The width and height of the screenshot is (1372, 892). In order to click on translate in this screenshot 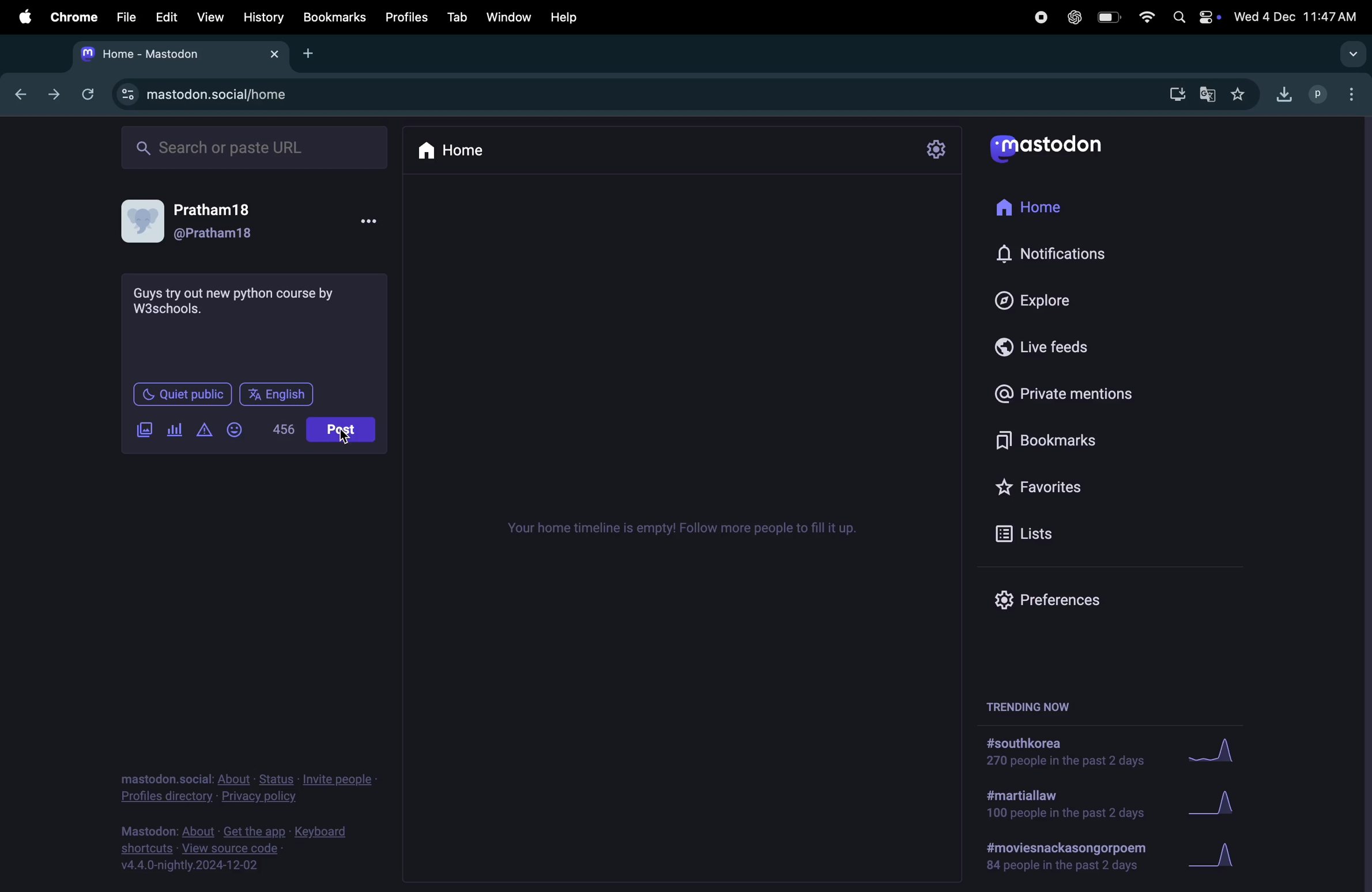, I will do `click(1211, 93)`.